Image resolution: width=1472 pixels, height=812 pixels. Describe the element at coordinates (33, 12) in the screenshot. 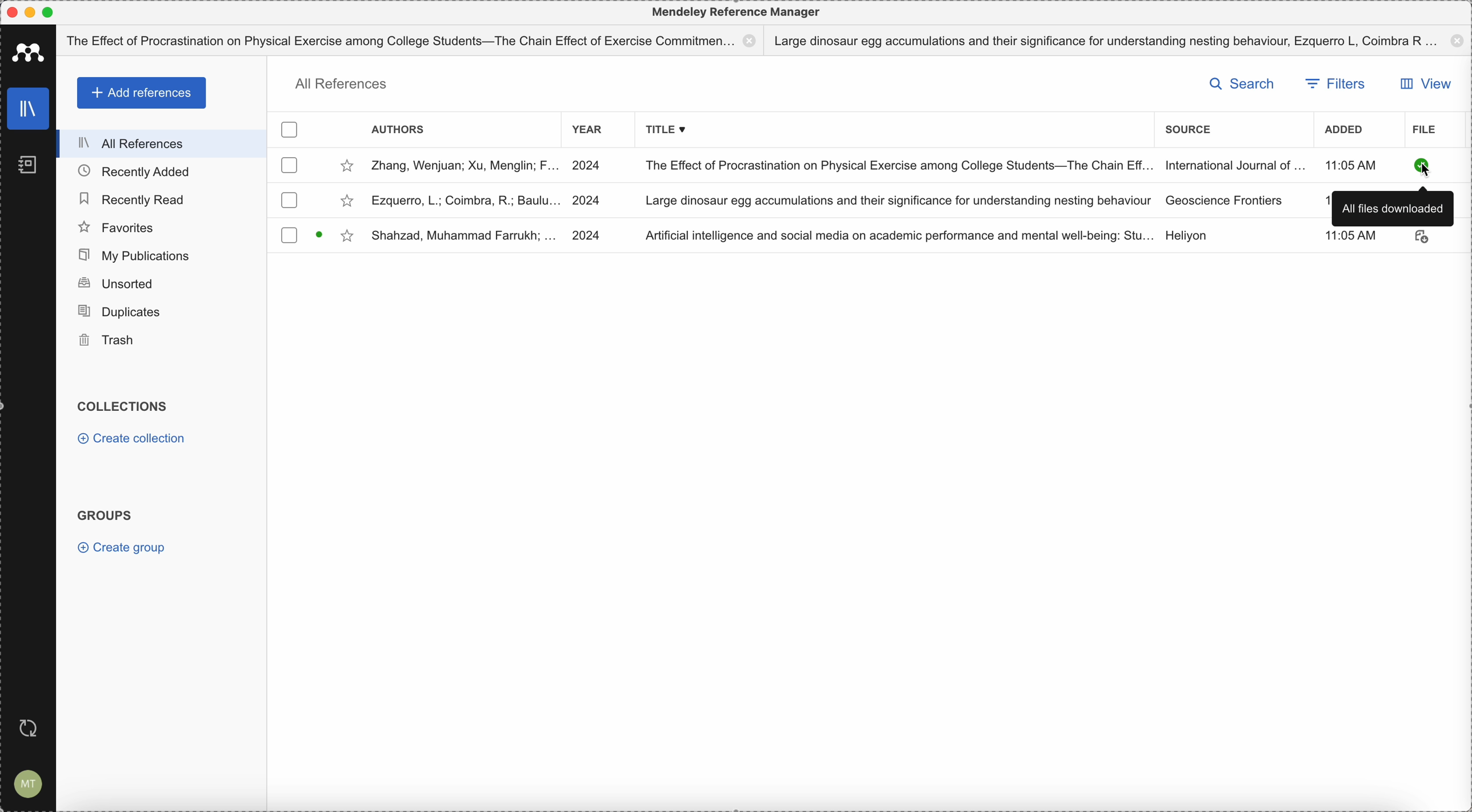

I see `minimize` at that location.